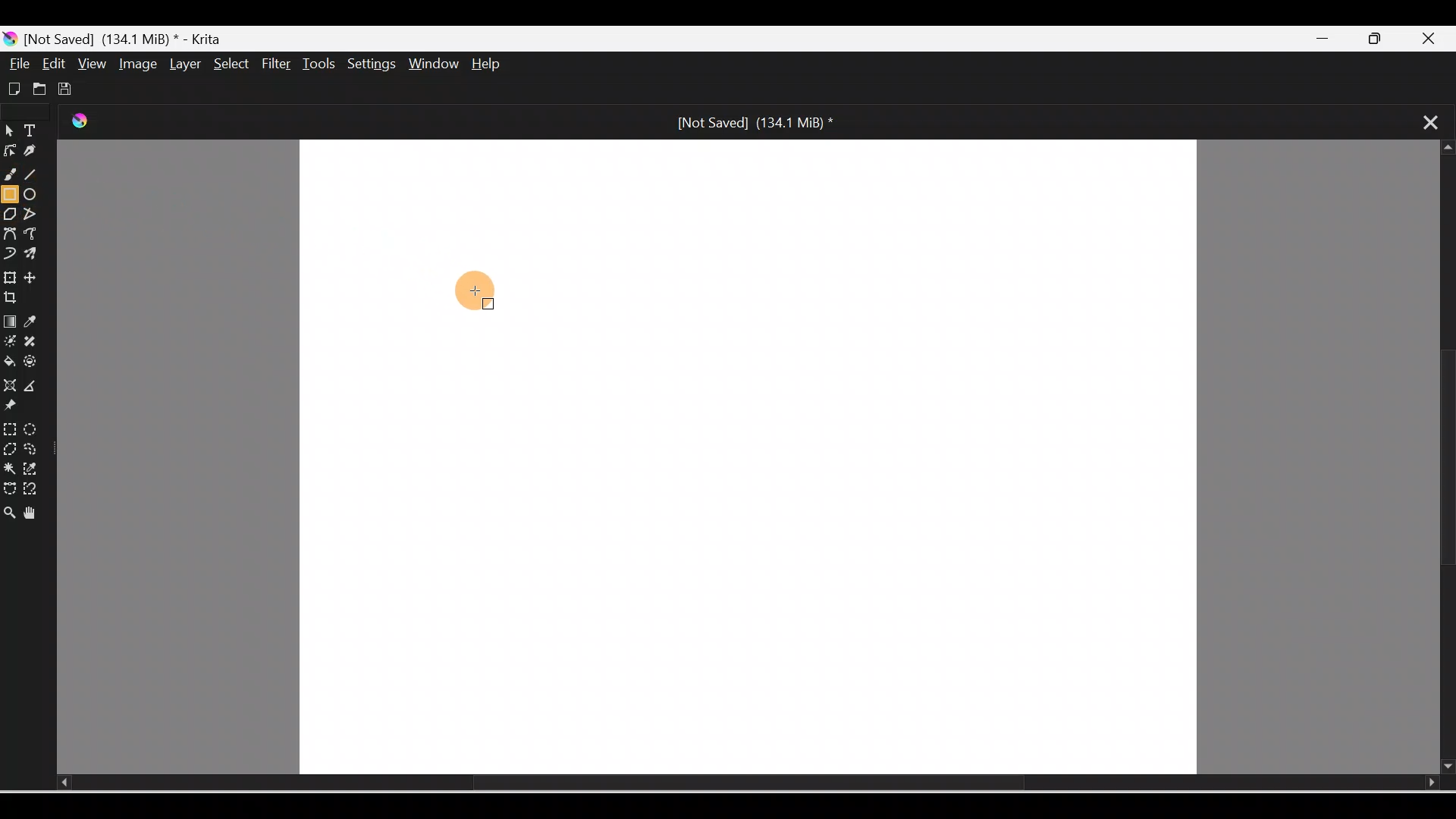 This screenshot has width=1456, height=819. Describe the element at coordinates (32, 152) in the screenshot. I see `Calligraphy` at that location.